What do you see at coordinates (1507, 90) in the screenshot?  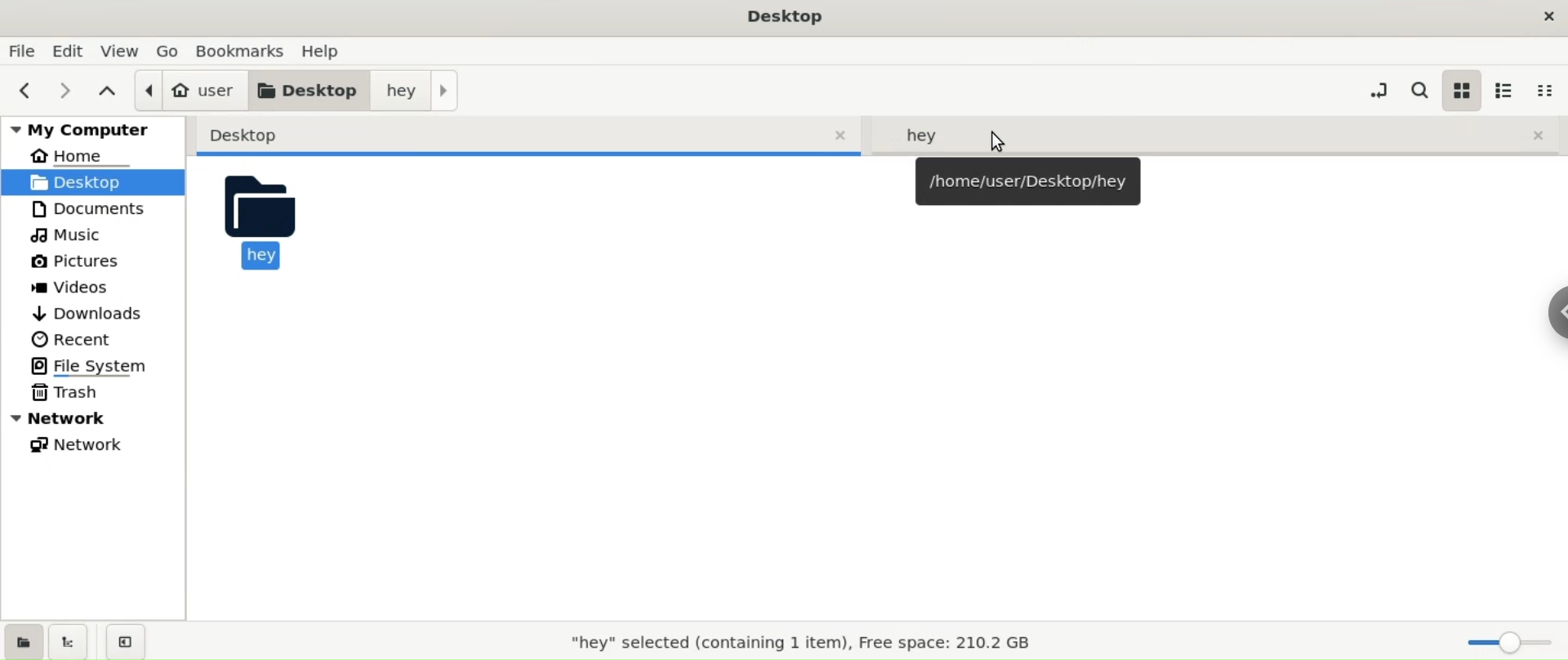 I see `list view` at bounding box center [1507, 90].